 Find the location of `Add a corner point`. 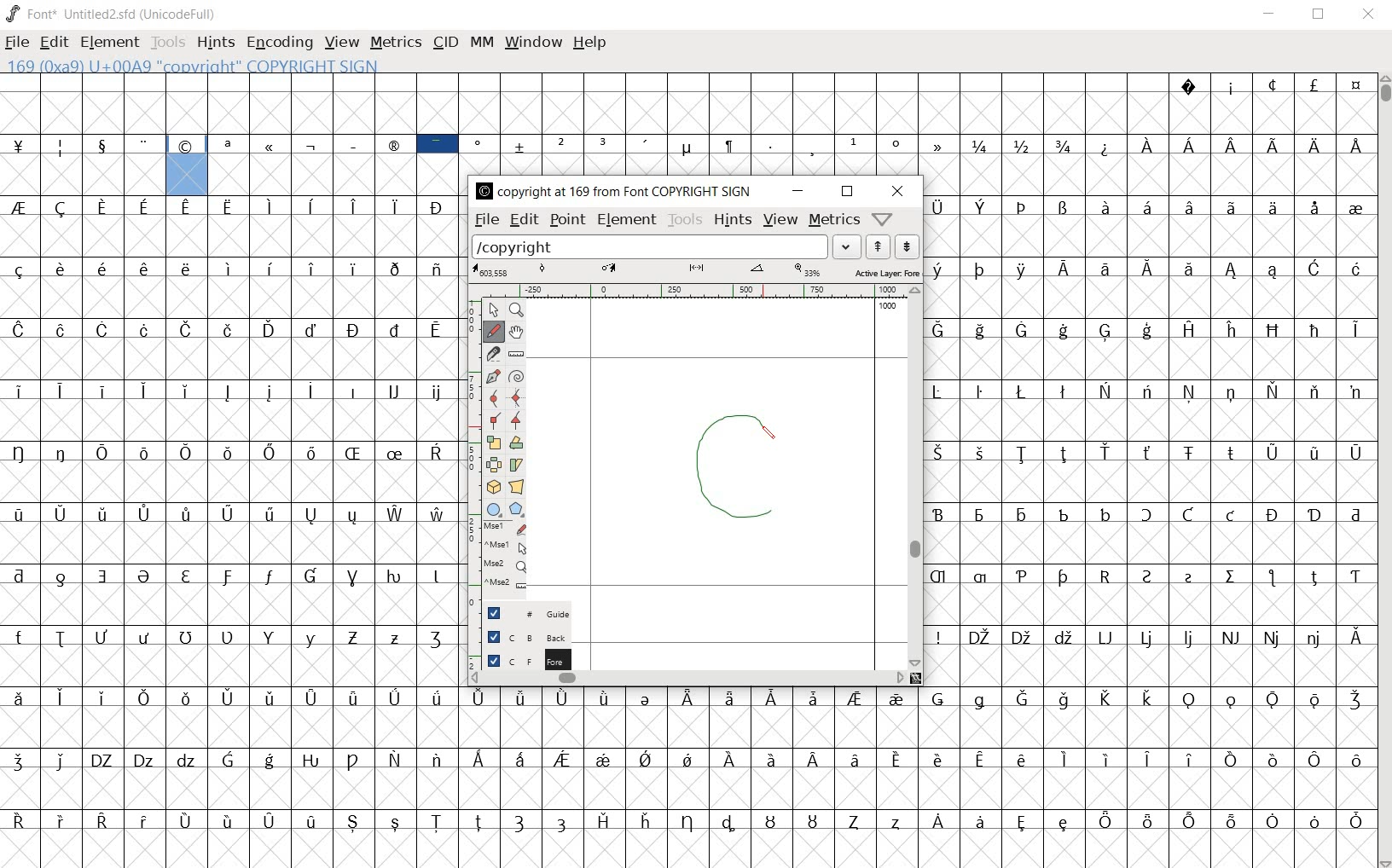

Add a corner point is located at coordinates (516, 421).